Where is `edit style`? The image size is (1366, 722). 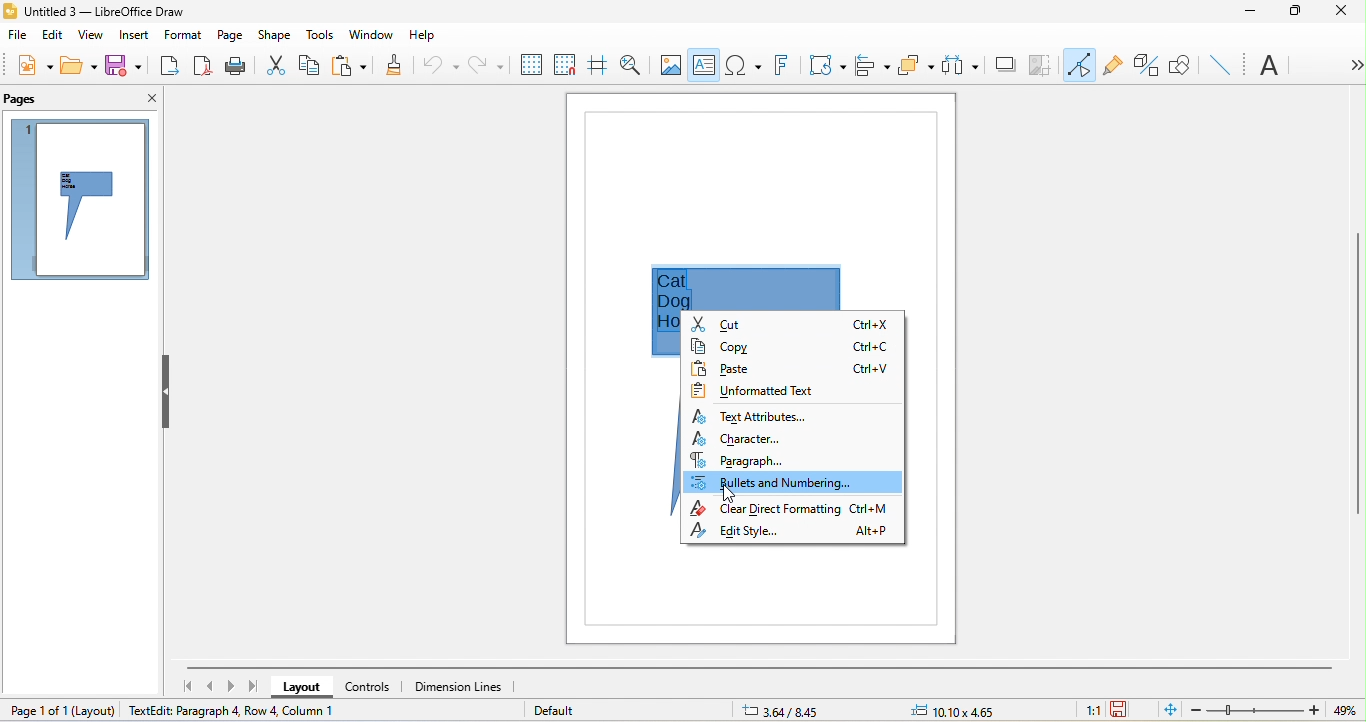 edit style is located at coordinates (797, 534).